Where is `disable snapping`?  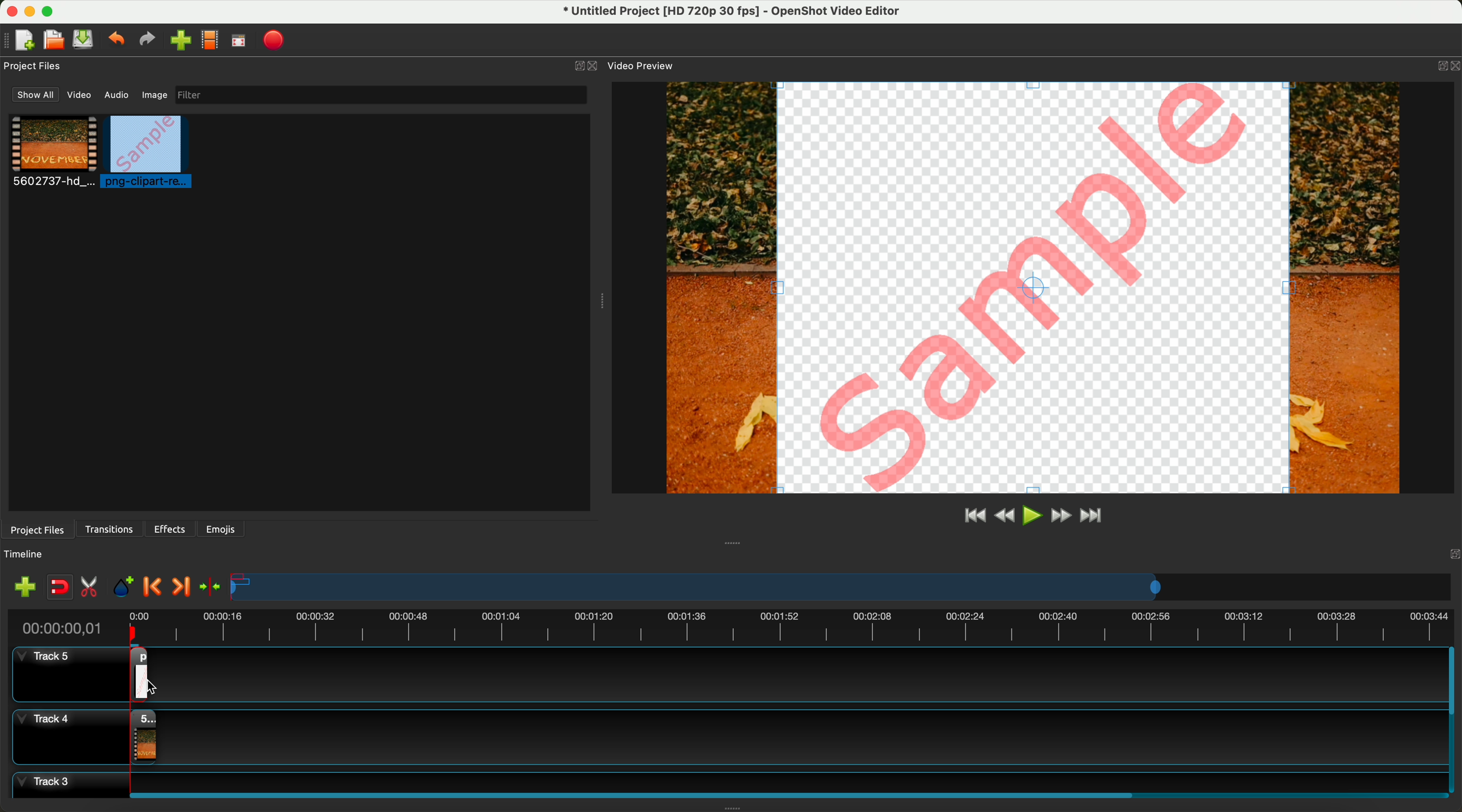 disable snapping is located at coordinates (60, 588).